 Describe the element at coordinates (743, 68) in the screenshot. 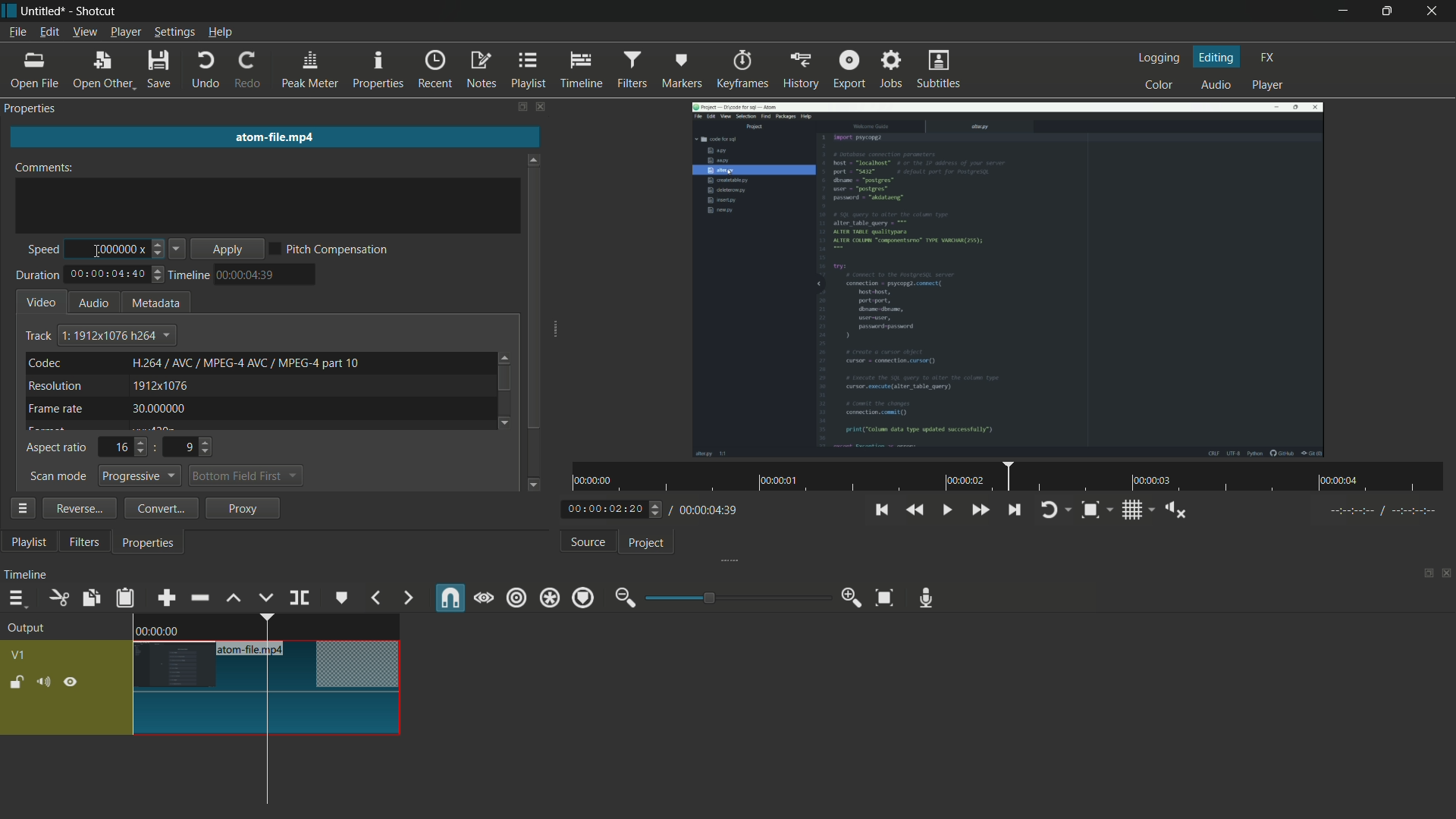

I see `keyframes` at that location.